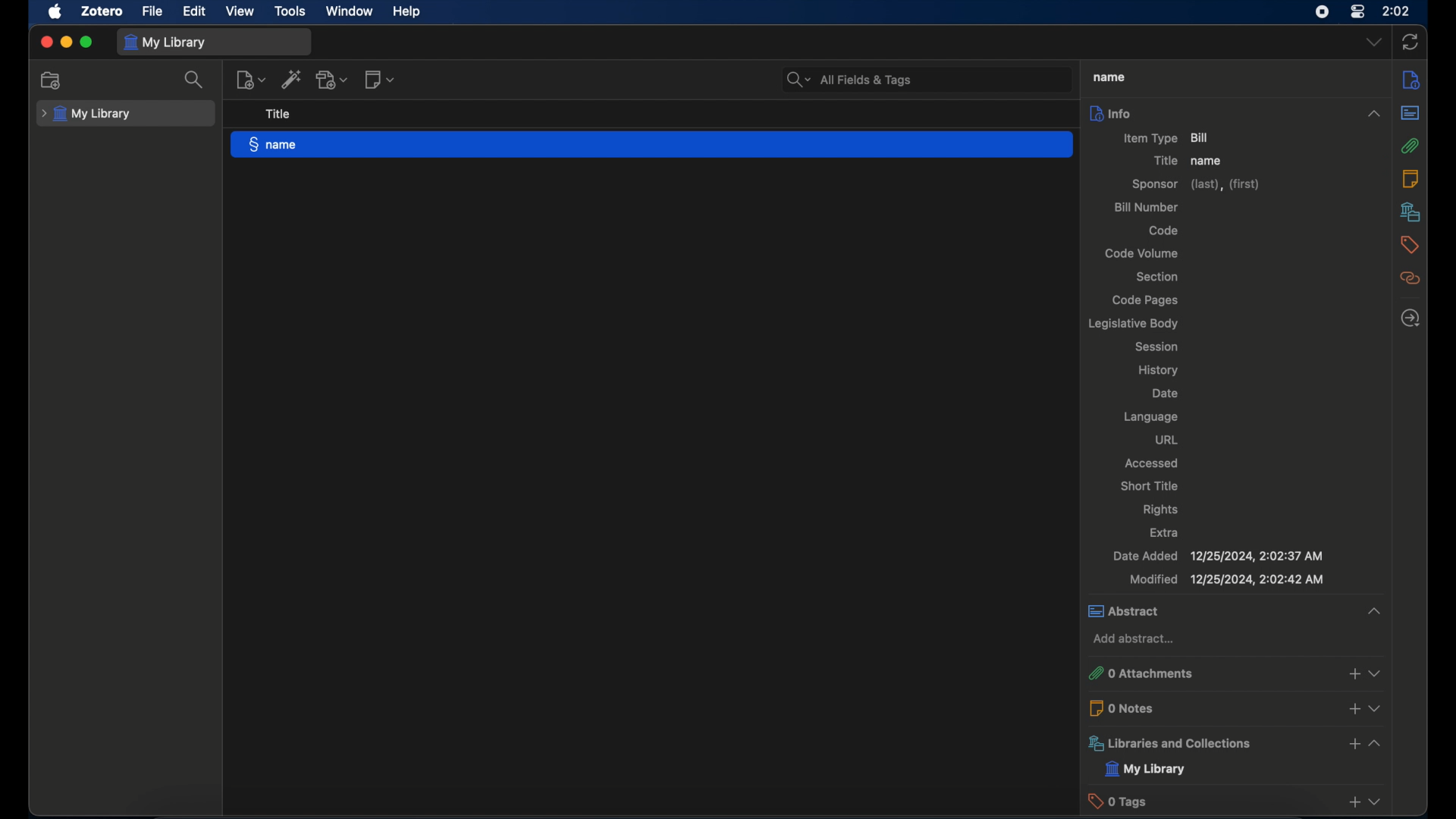 The height and width of the screenshot is (819, 1456). I want to click on add abstract, so click(1133, 639).